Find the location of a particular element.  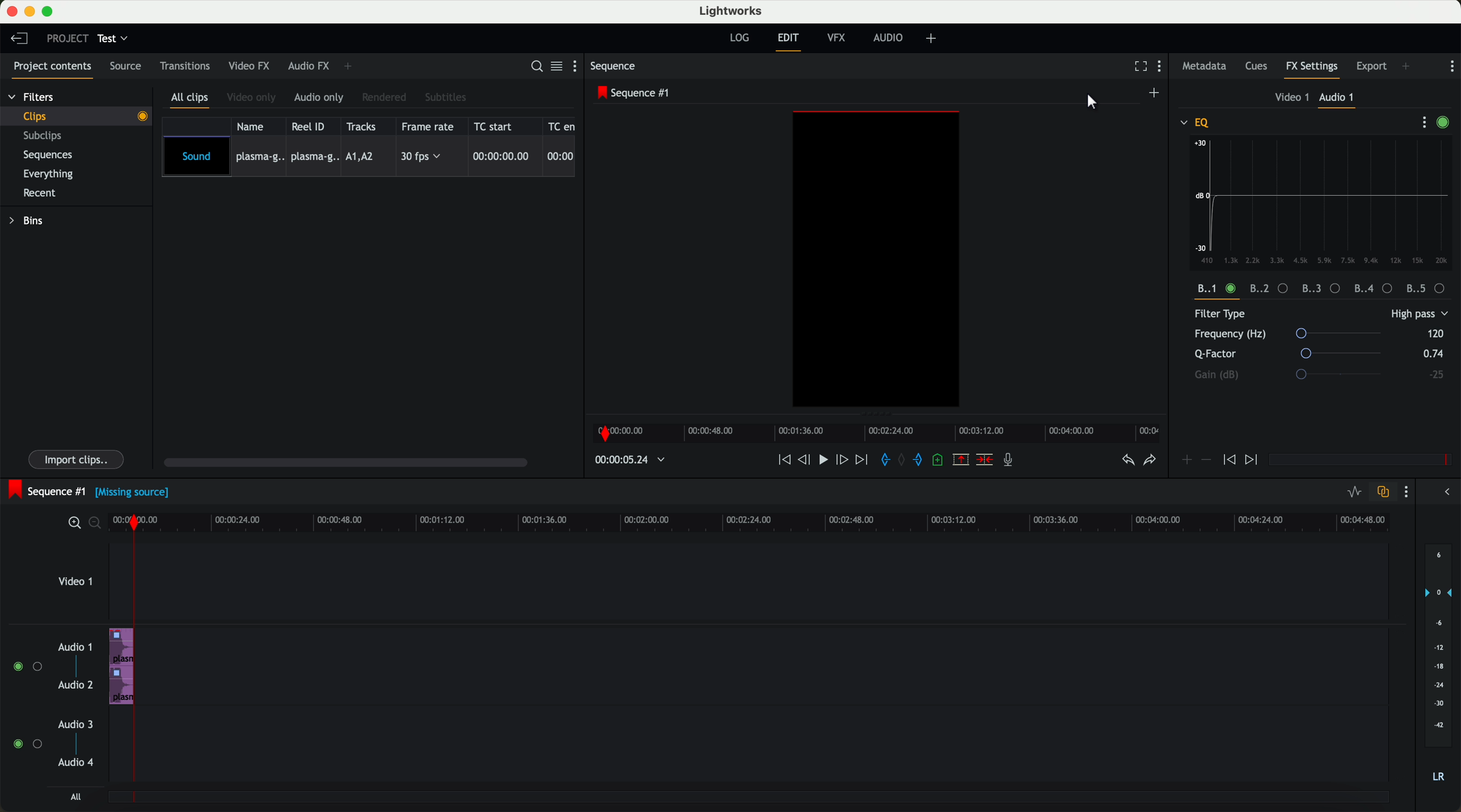

add is located at coordinates (933, 39).